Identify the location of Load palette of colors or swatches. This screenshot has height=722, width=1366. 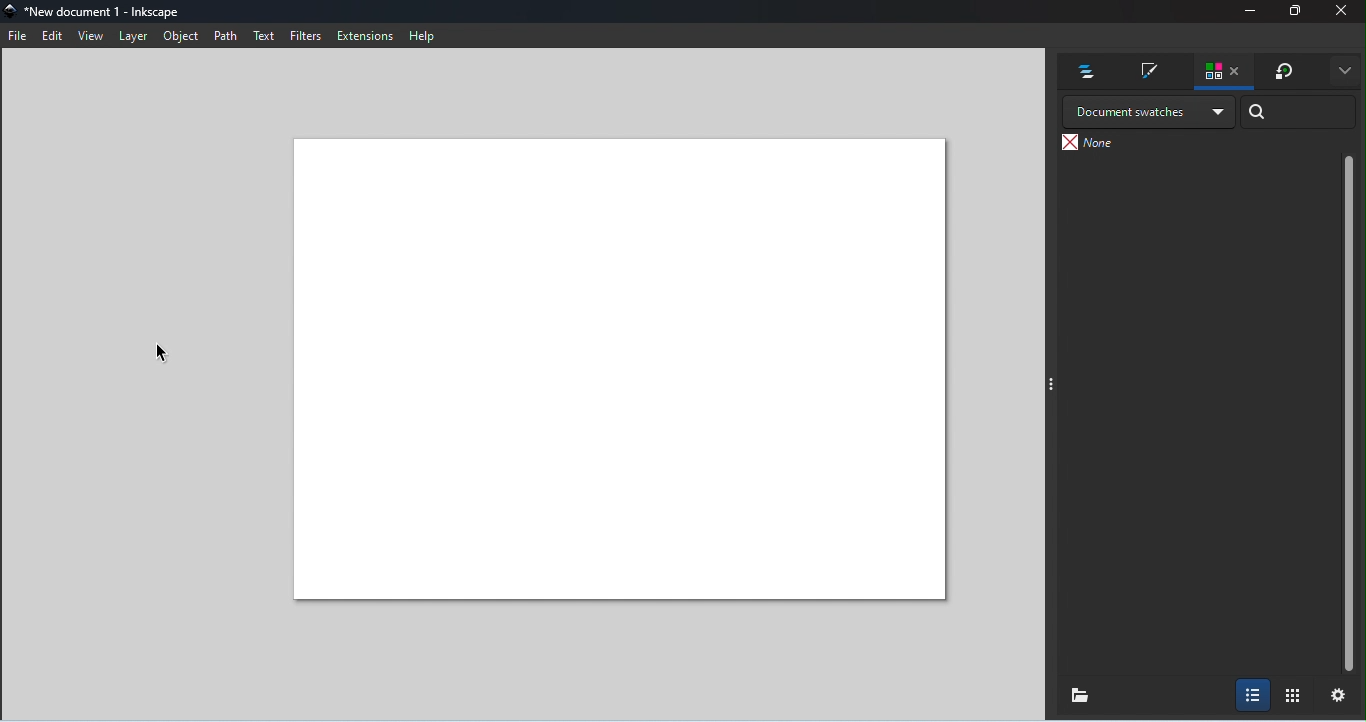
(1081, 699).